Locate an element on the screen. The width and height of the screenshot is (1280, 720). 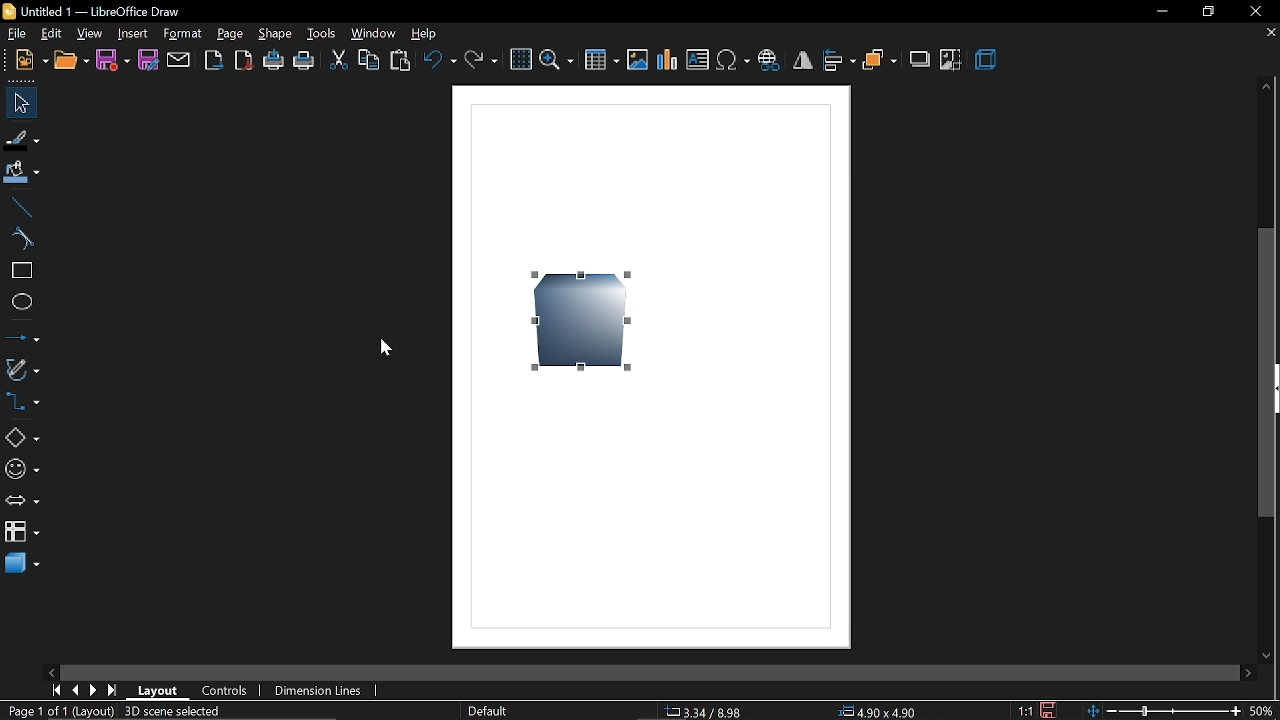
move up is located at coordinates (1265, 85).